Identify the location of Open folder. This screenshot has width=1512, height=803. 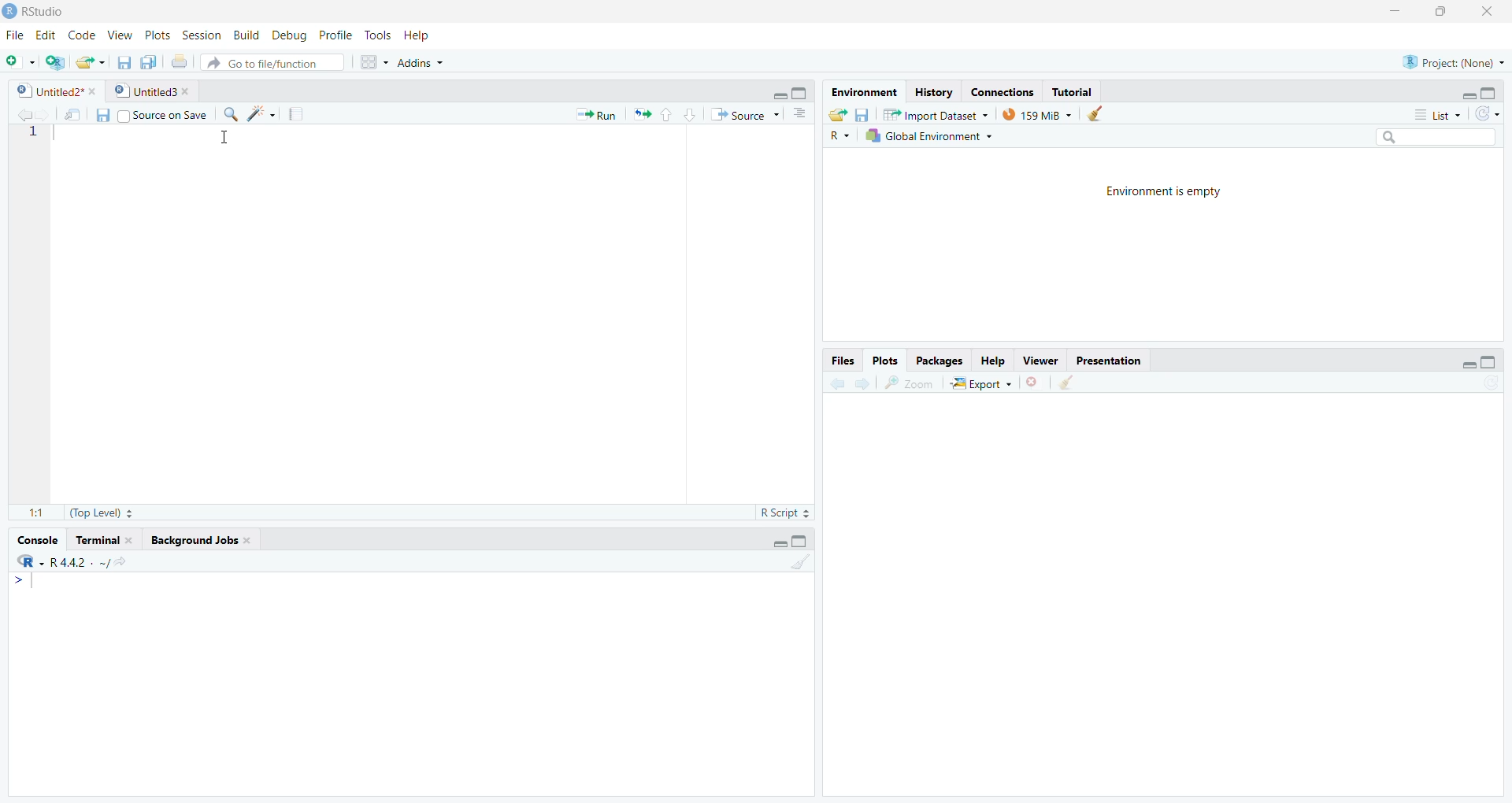
(89, 62).